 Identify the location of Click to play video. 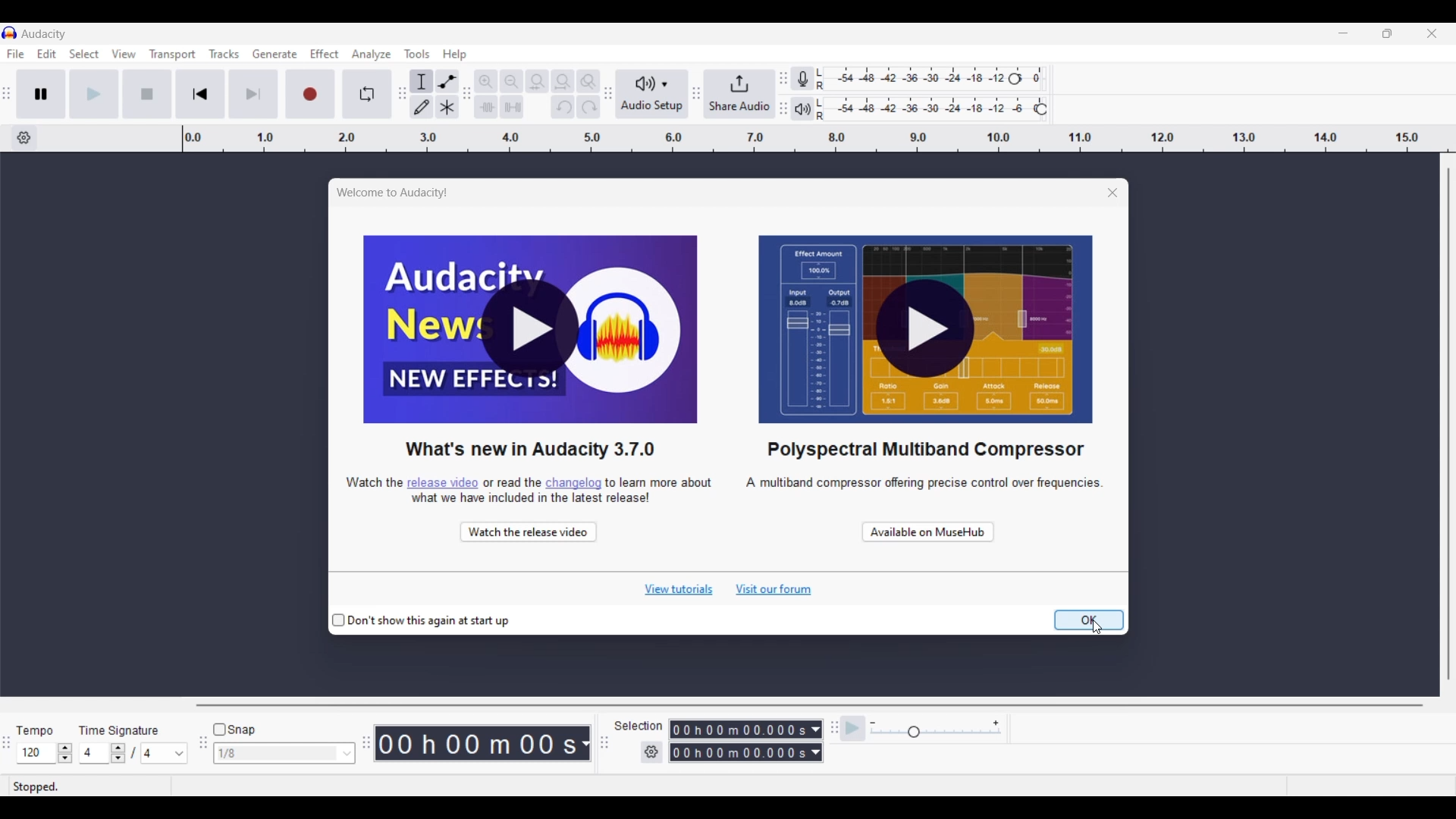
(531, 330).